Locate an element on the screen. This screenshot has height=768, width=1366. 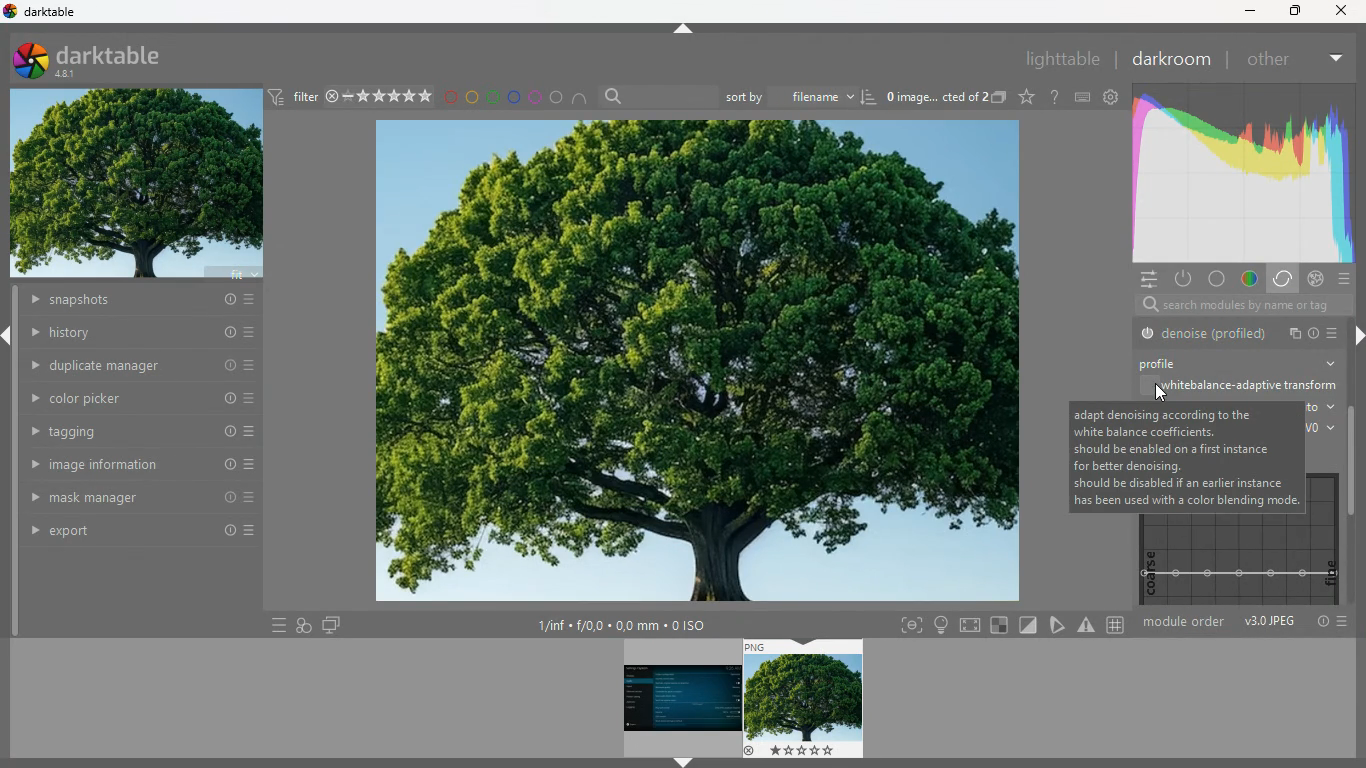
more is located at coordinates (277, 624).